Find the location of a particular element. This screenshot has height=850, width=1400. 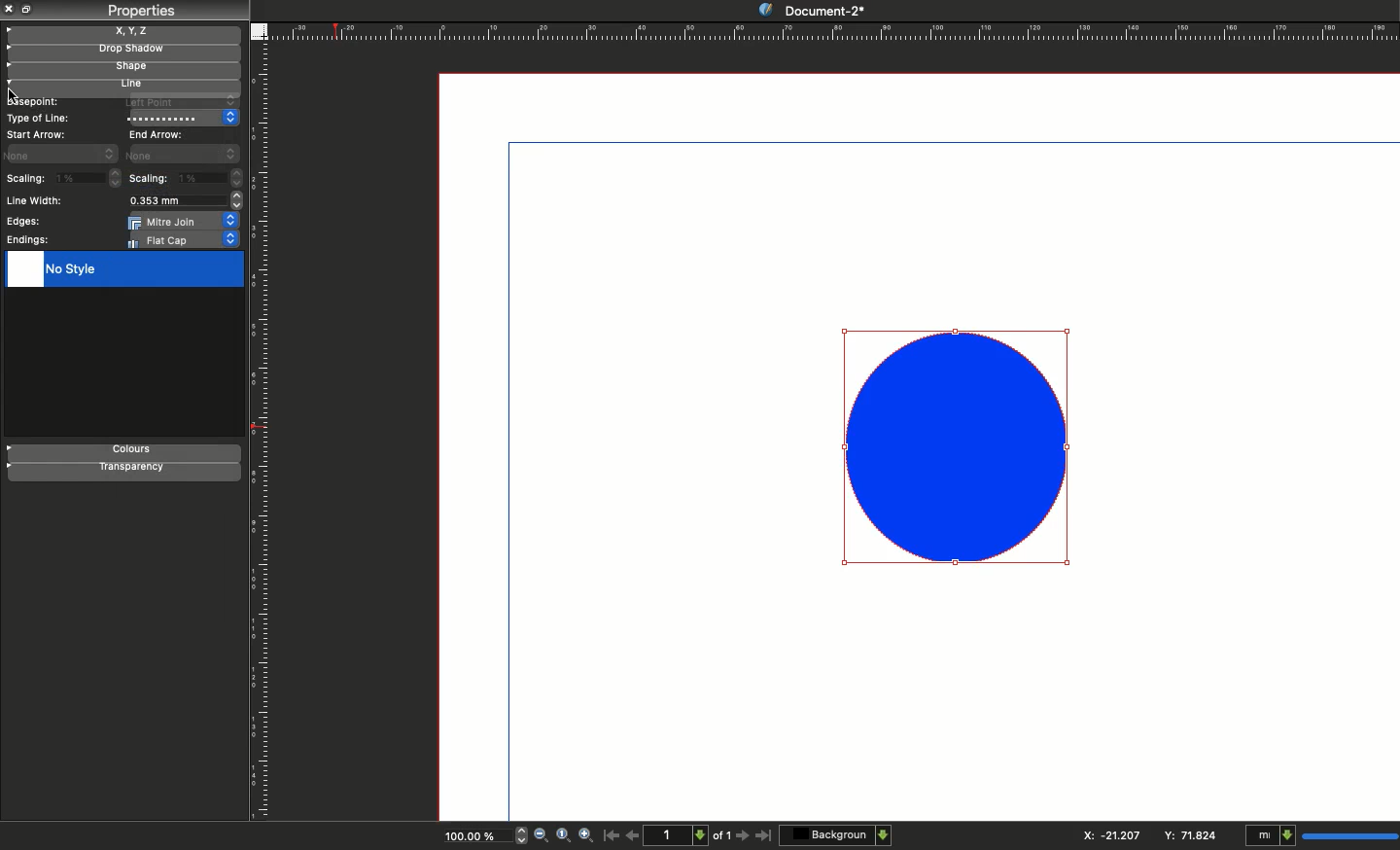

Ruler is located at coordinates (833, 31).